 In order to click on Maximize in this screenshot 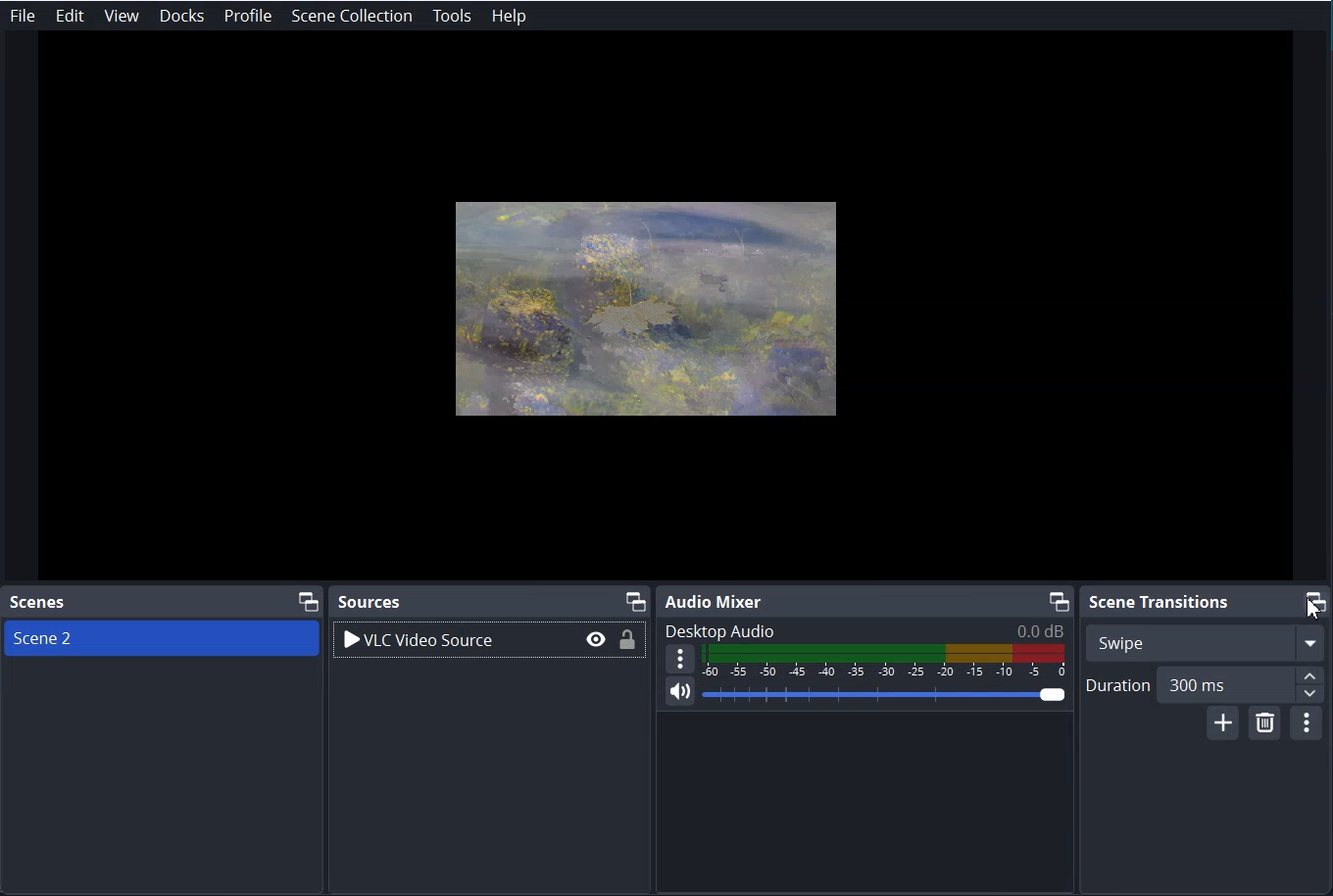, I will do `click(306, 603)`.